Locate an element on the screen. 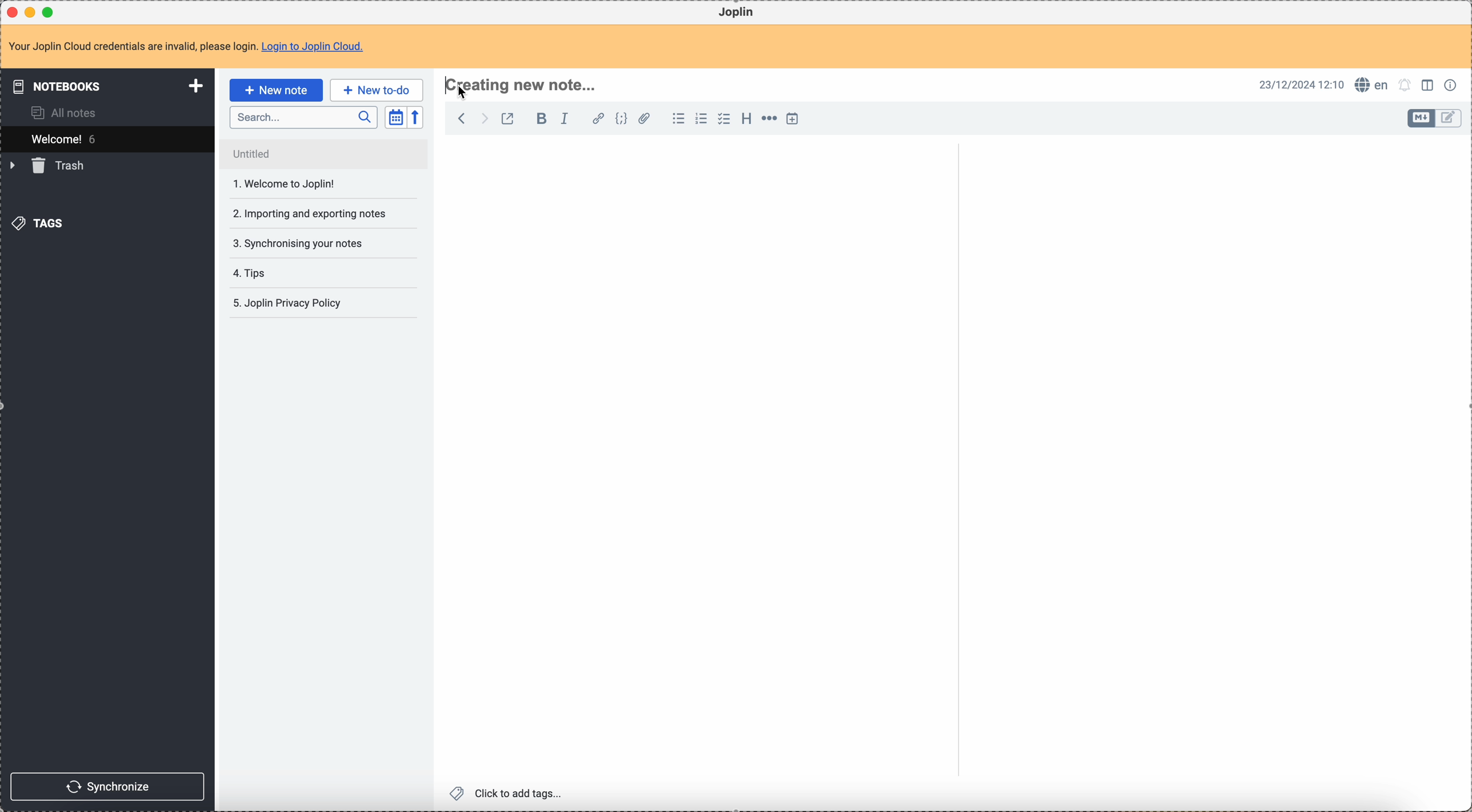 Image resolution: width=1472 pixels, height=812 pixels. date and hour is located at coordinates (1299, 85).